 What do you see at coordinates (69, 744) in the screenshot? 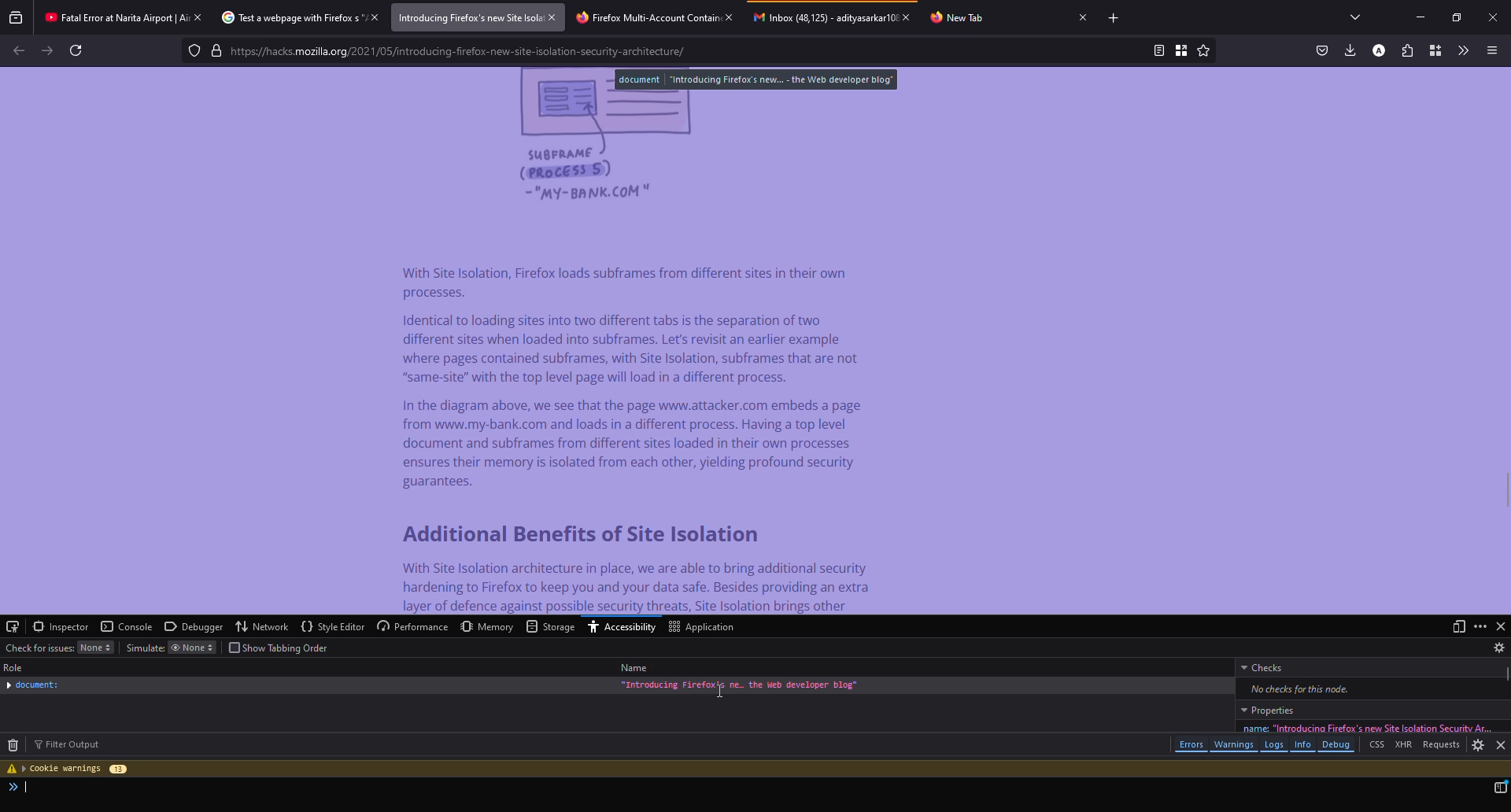
I see `filter` at bounding box center [69, 744].